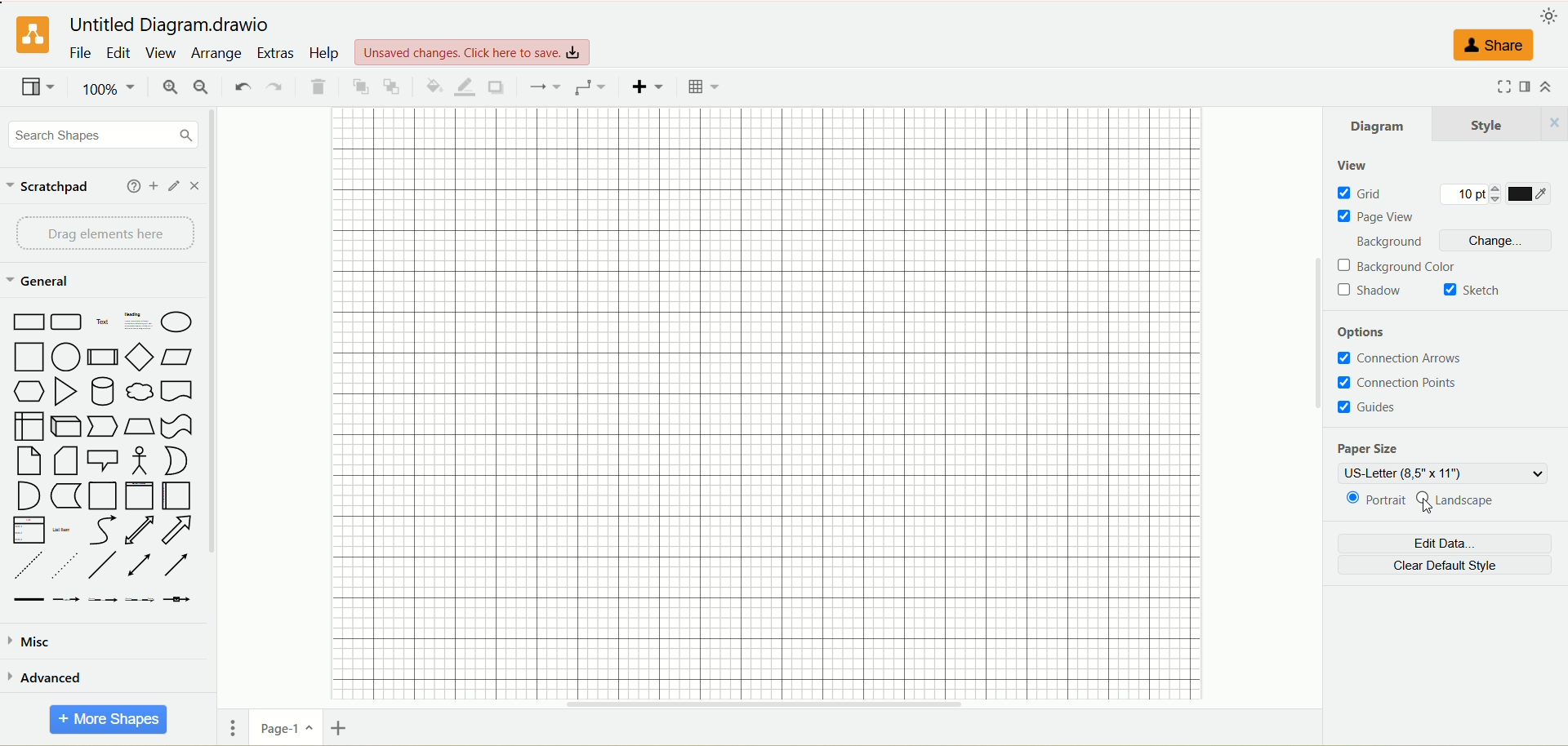  Describe the element at coordinates (288, 730) in the screenshot. I see `page-1` at that location.